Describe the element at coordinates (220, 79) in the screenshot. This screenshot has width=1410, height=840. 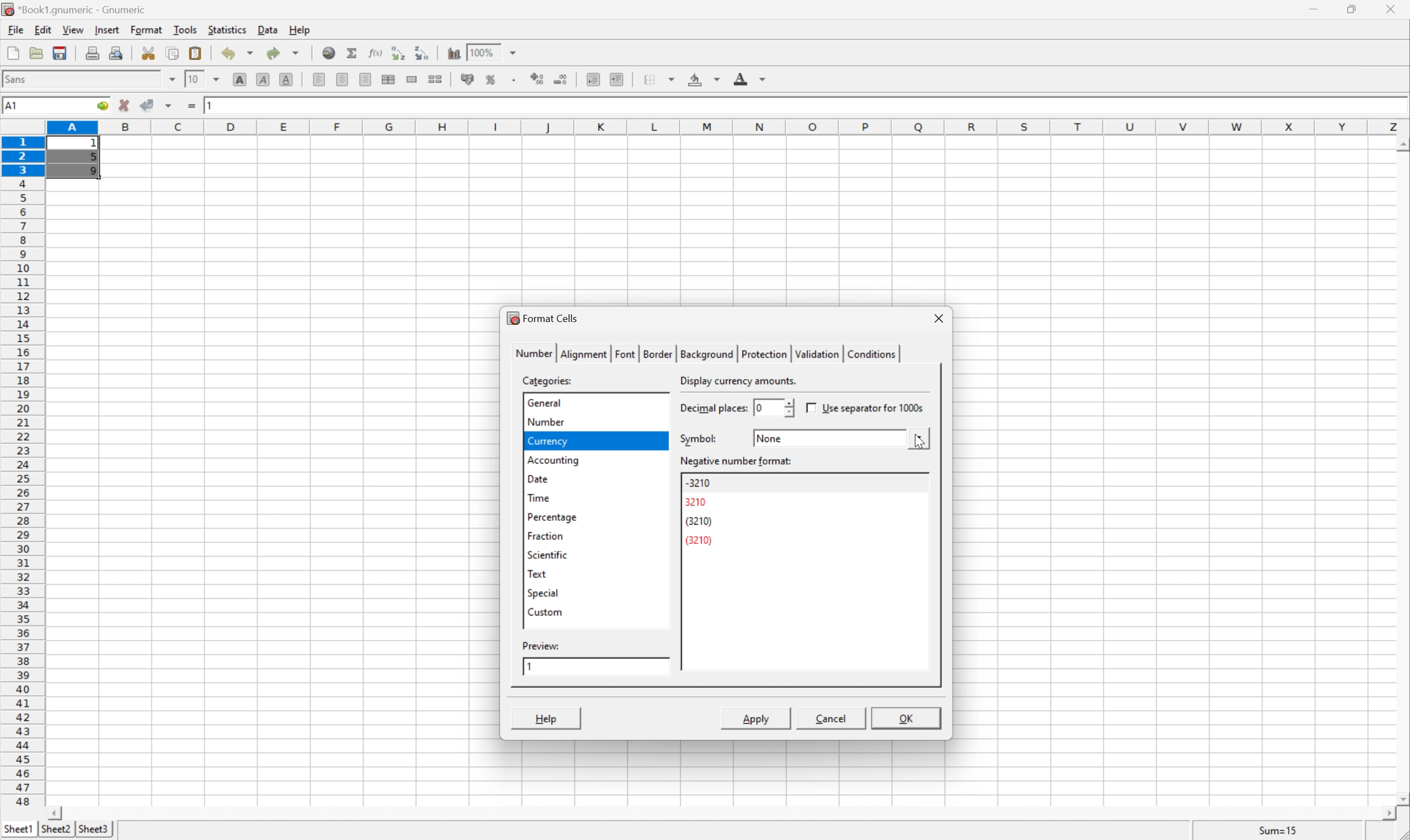
I see `drop down` at that location.